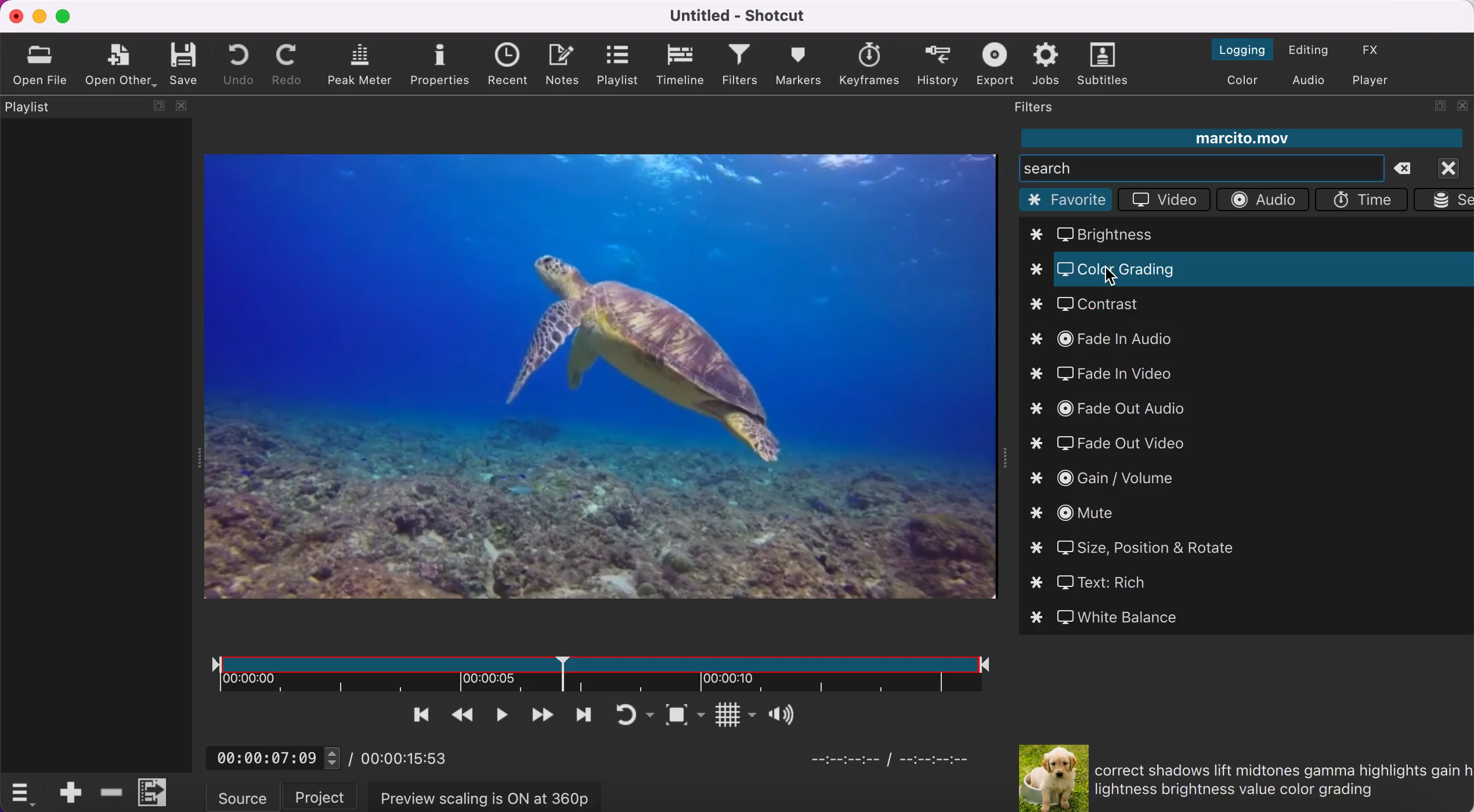  What do you see at coordinates (38, 64) in the screenshot?
I see `open file` at bounding box center [38, 64].